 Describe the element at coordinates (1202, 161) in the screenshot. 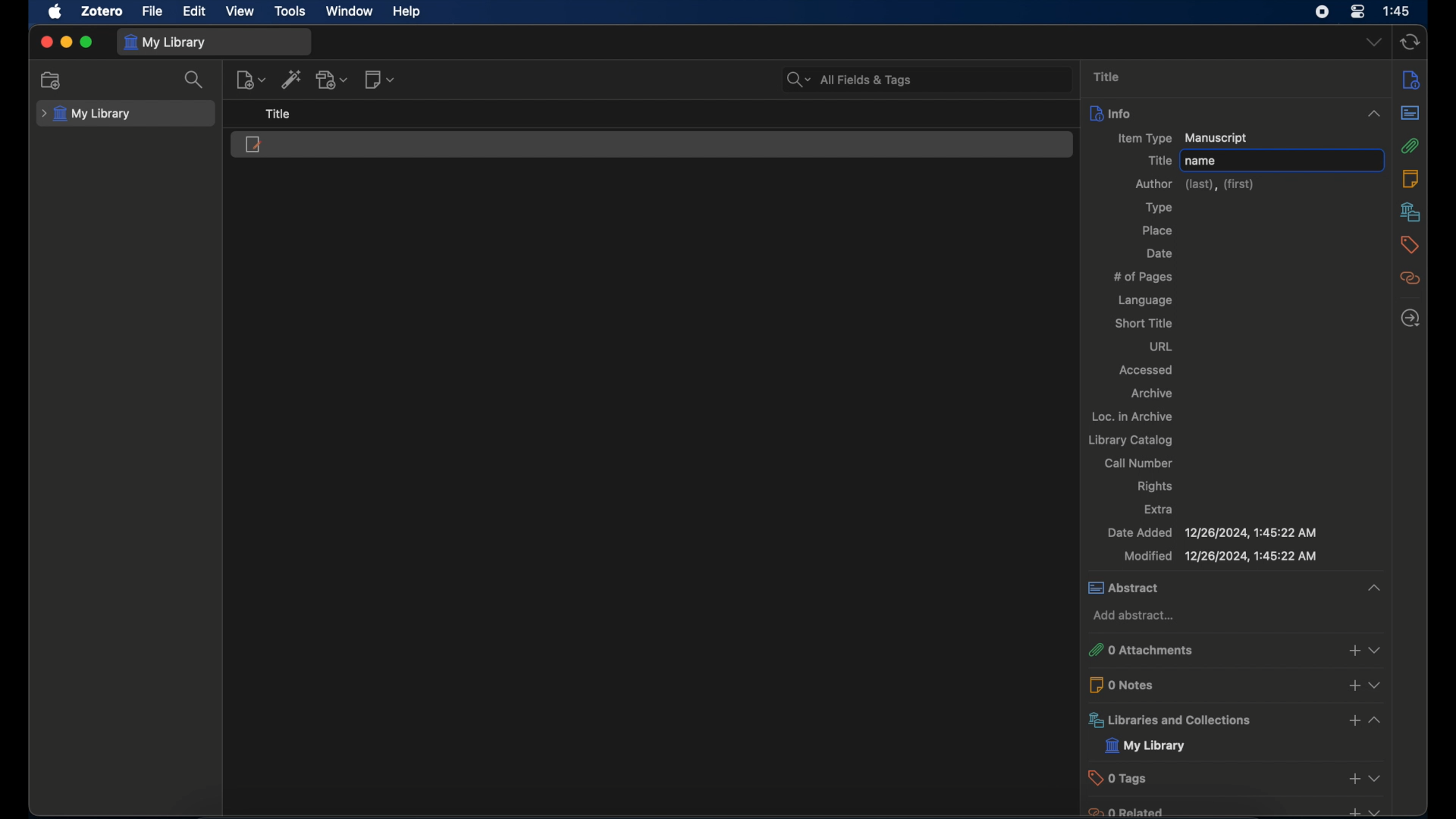

I see `name` at that location.